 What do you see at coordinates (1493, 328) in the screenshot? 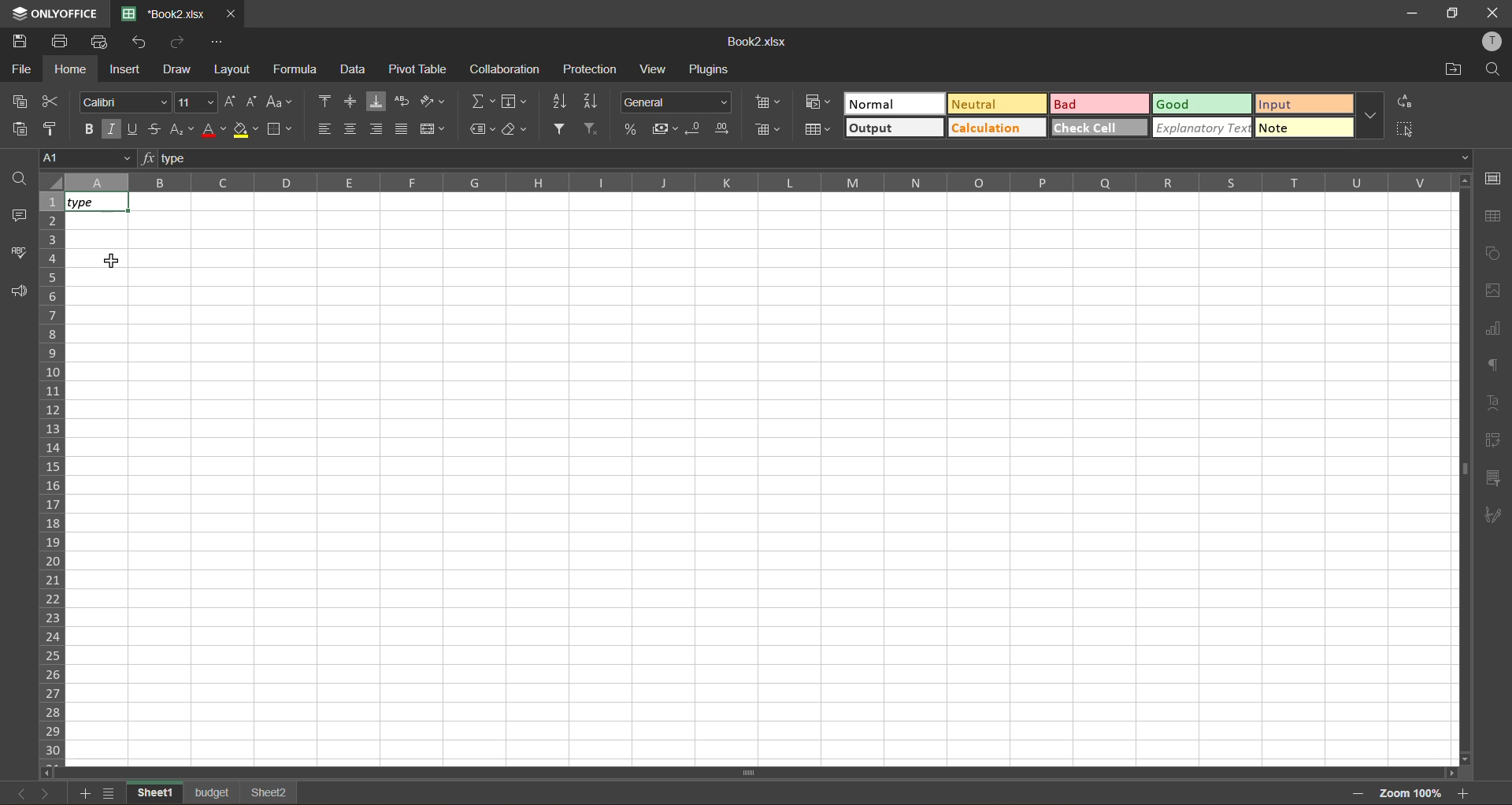
I see `charts` at bounding box center [1493, 328].